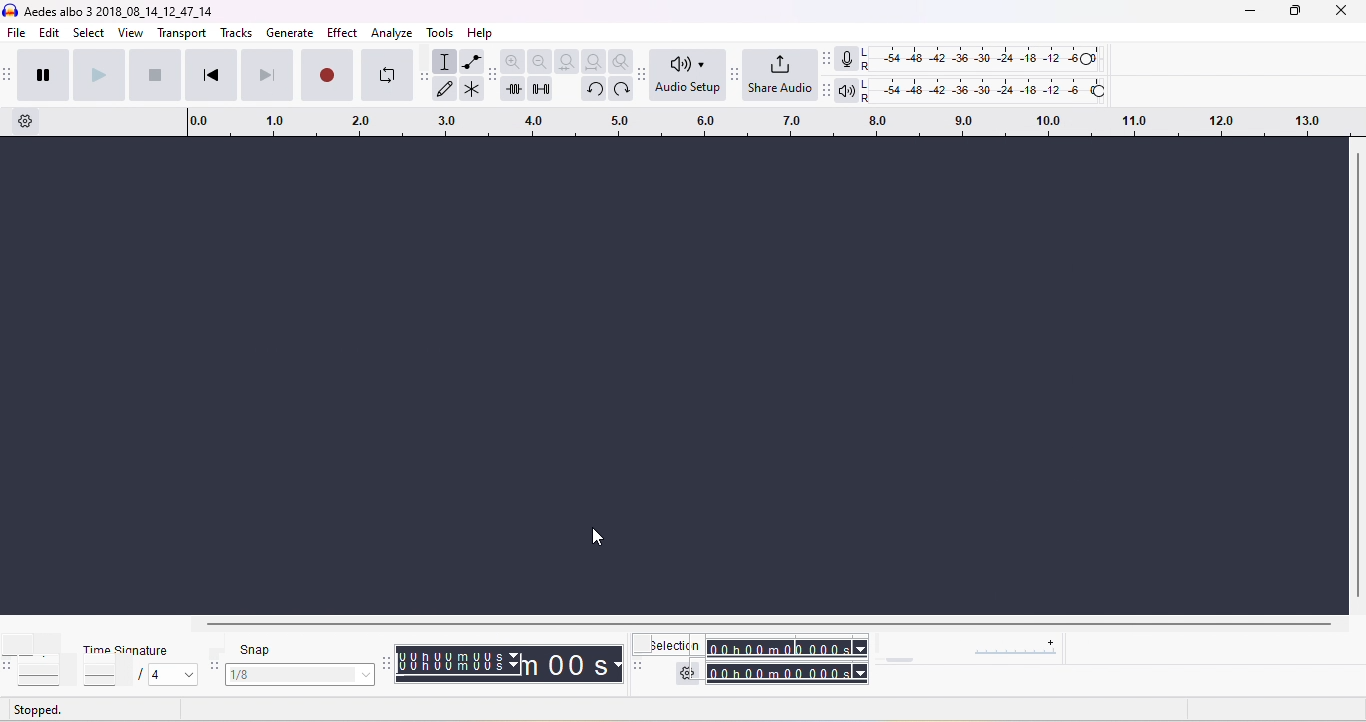  Describe the element at coordinates (209, 74) in the screenshot. I see `skip to start` at that location.